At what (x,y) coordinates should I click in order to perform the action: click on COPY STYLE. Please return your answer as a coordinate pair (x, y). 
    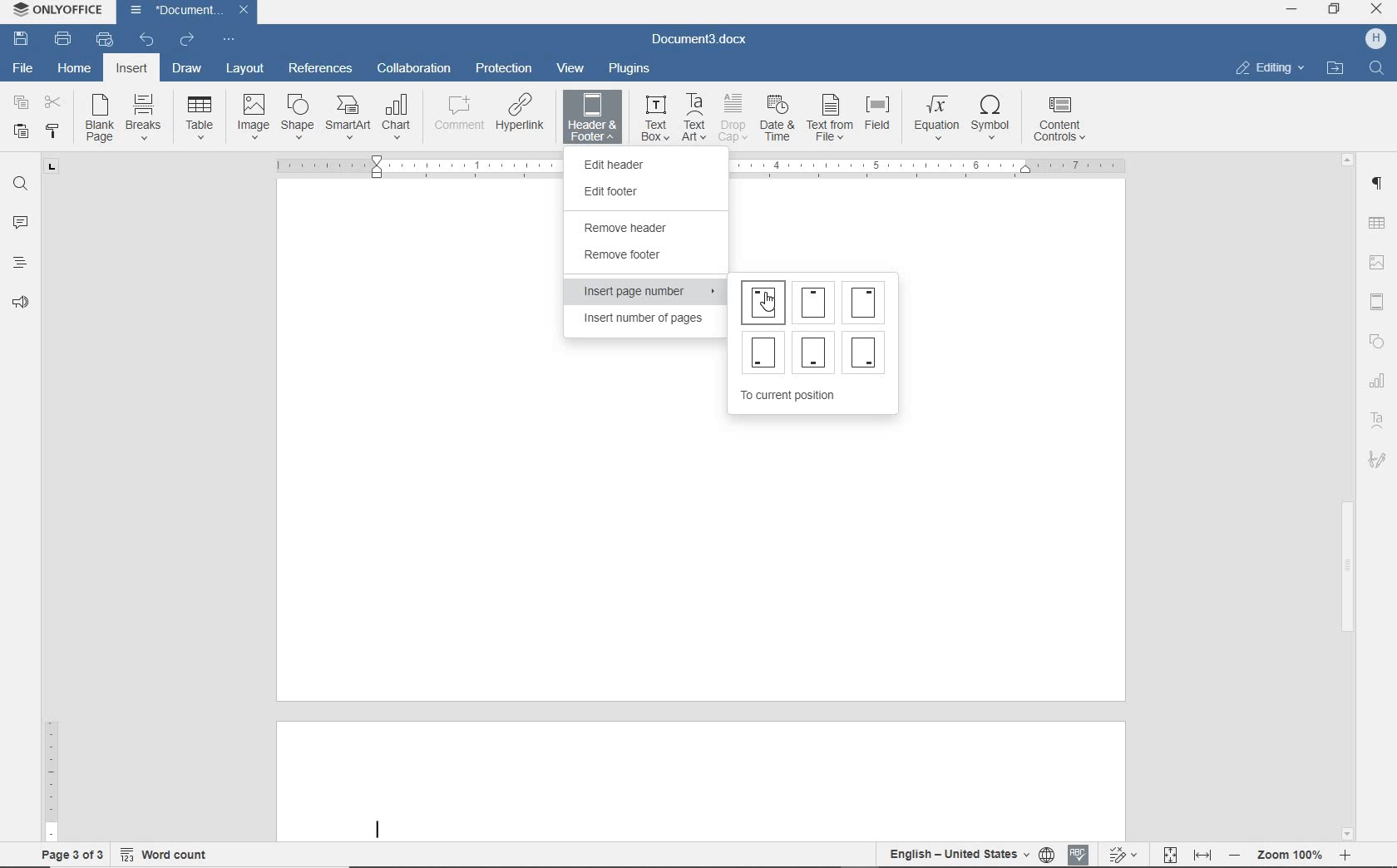
    Looking at the image, I should click on (54, 131).